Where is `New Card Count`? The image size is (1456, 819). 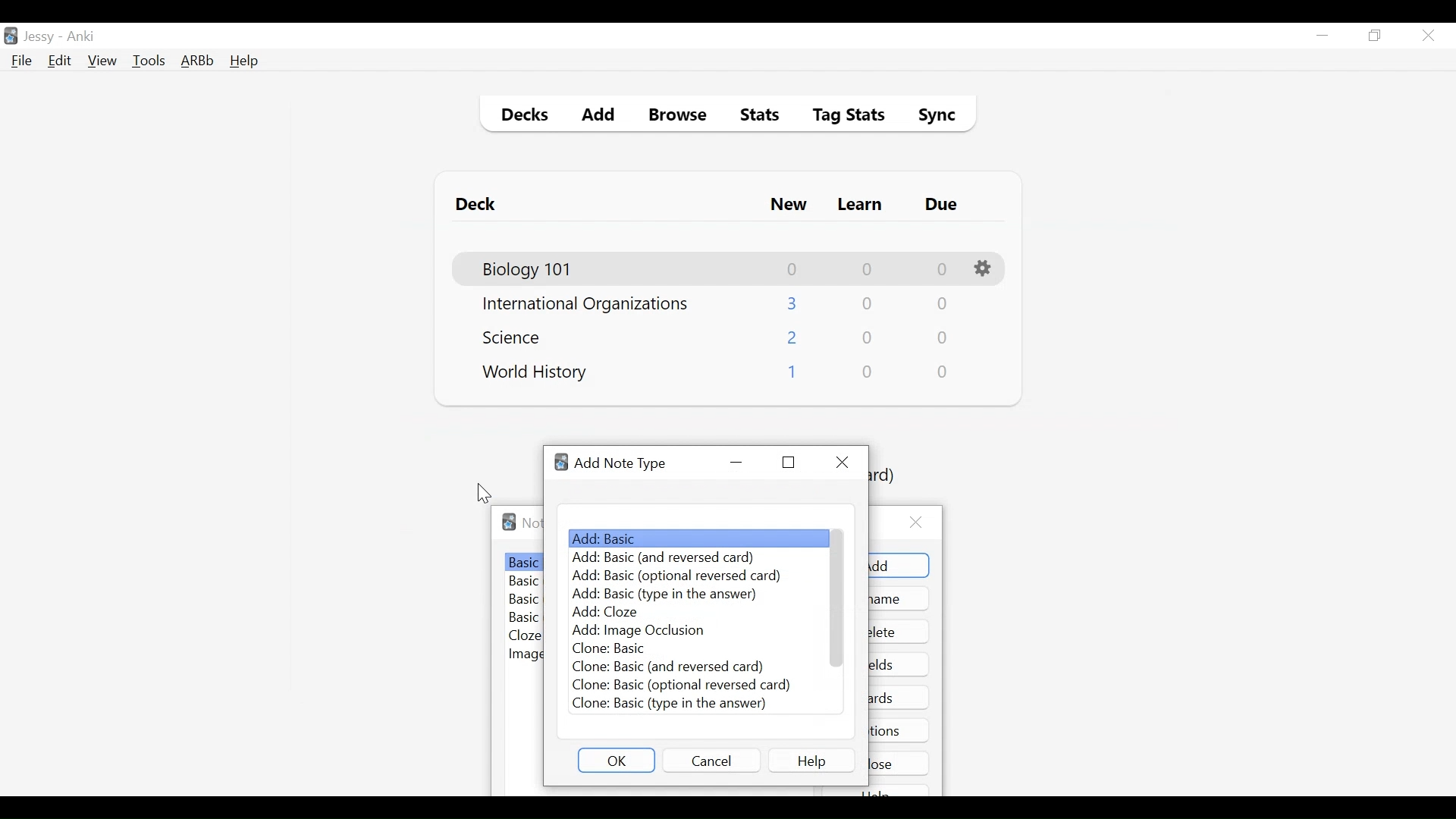
New Card Count is located at coordinates (793, 269).